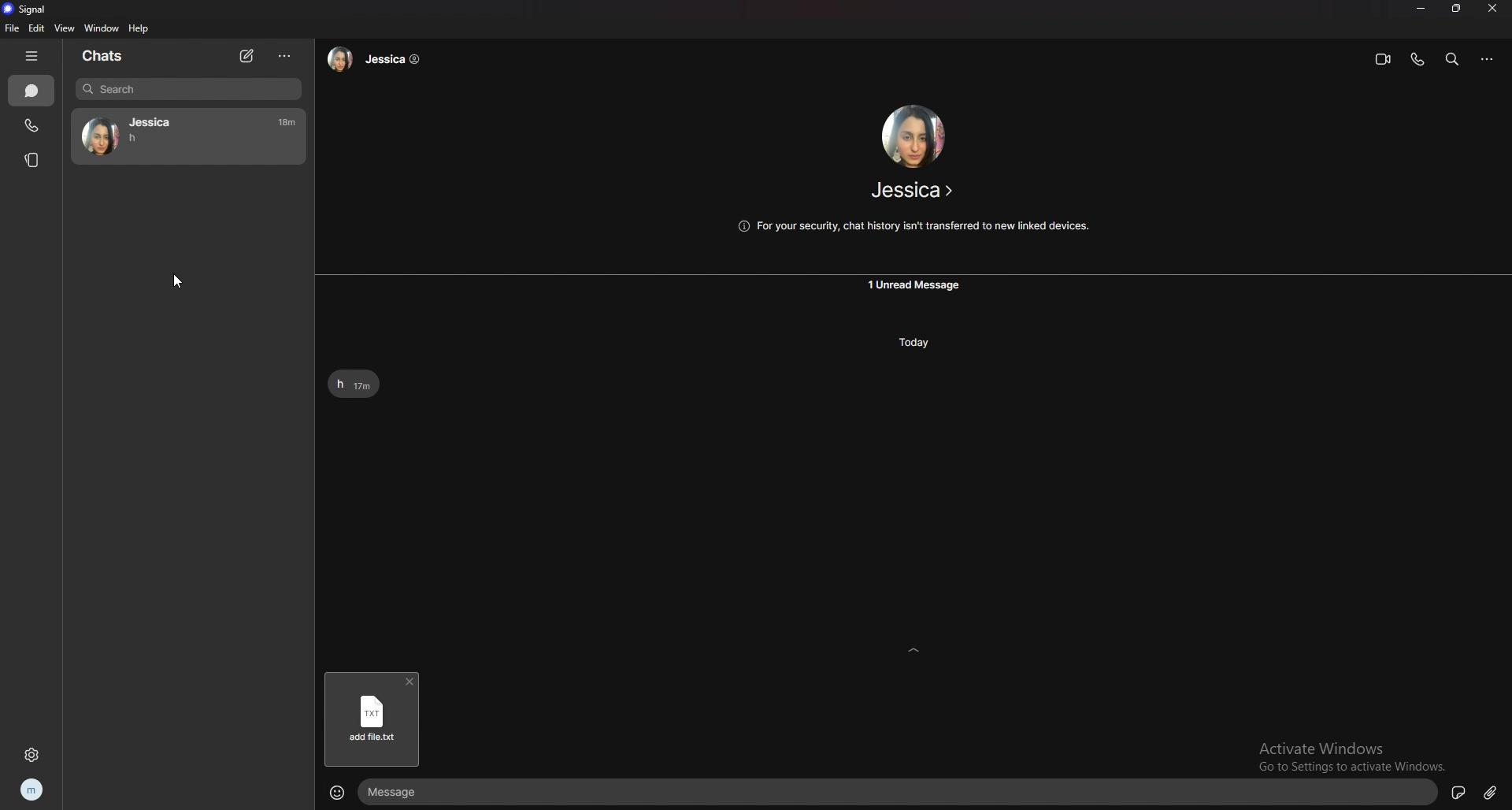 The image size is (1512, 810). What do you see at coordinates (884, 792) in the screenshot?
I see `text box` at bounding box center [884, 792].